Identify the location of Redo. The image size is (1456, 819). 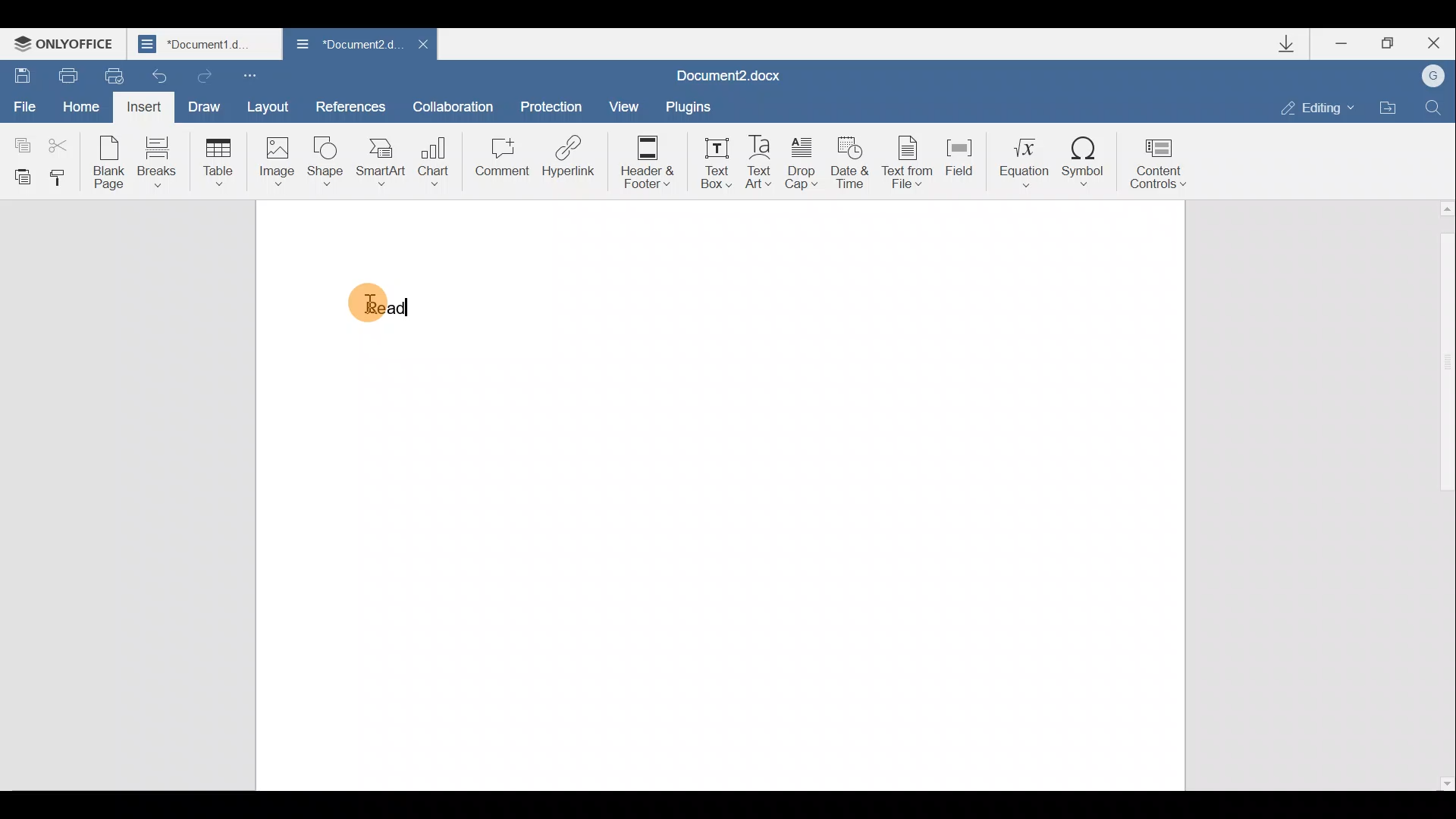
(204, 75).